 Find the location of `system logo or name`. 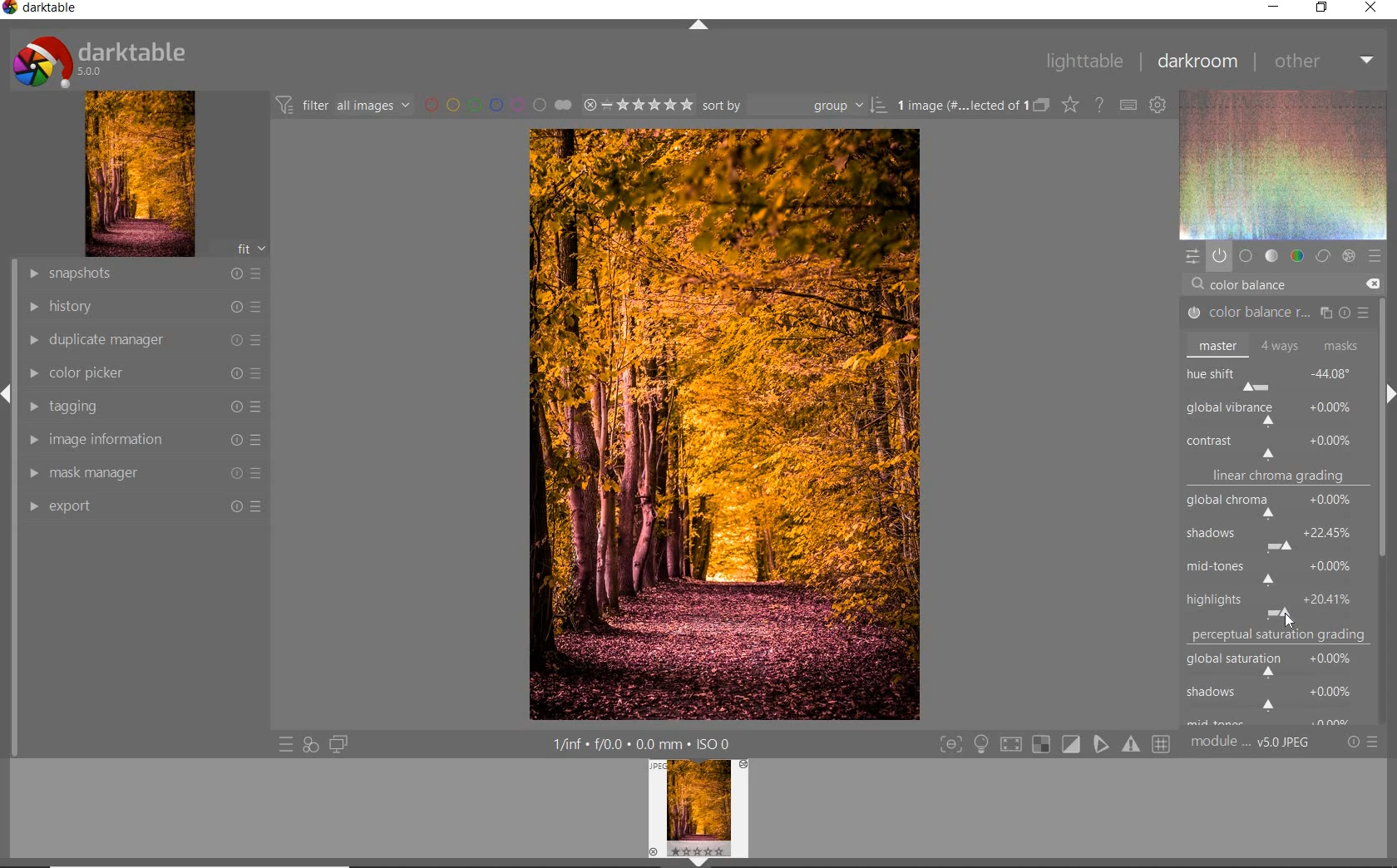

system logo or name is located at coordinates (106, 60).